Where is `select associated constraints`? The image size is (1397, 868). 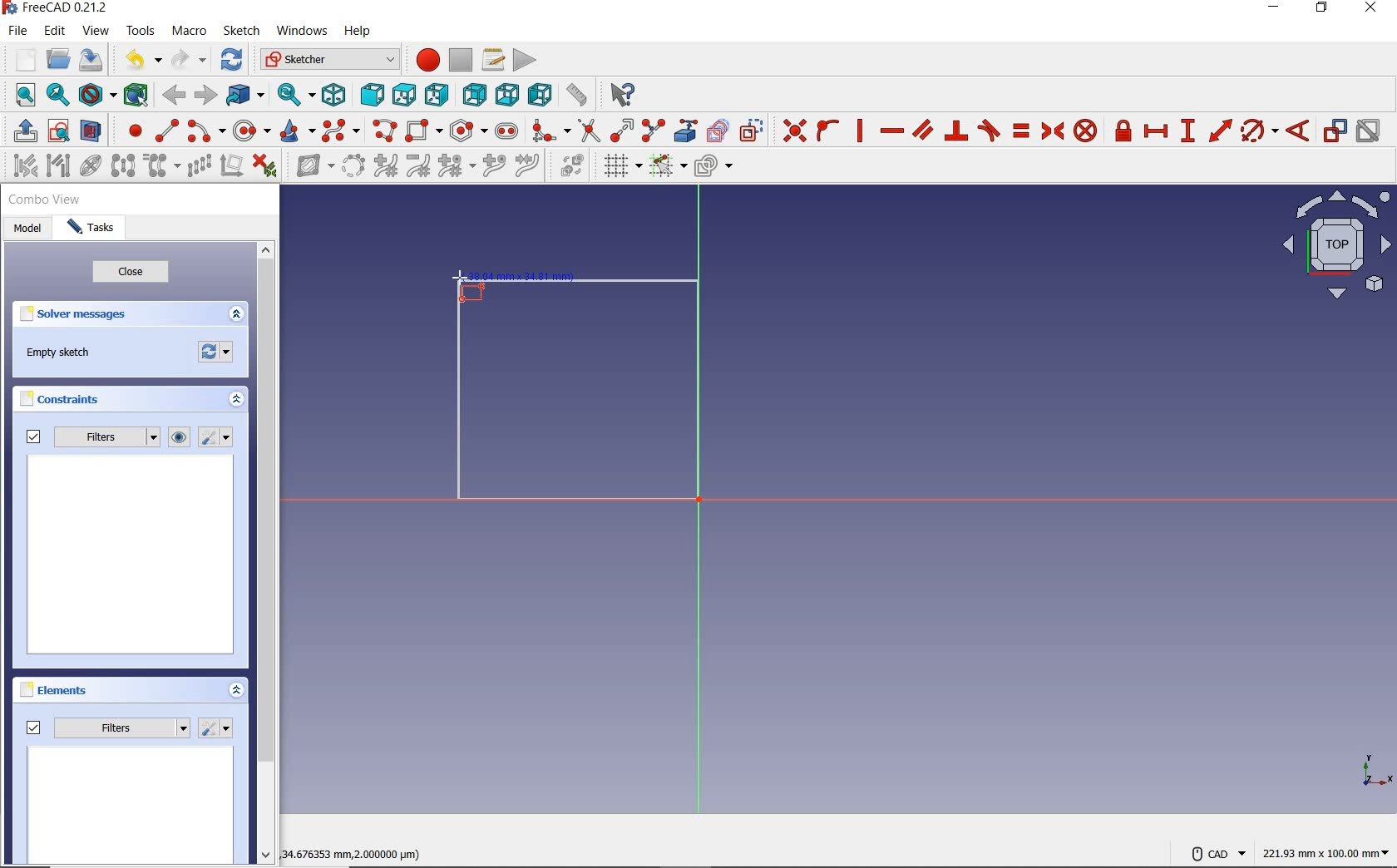 select associated constraints is located at coordinates (19, 165).